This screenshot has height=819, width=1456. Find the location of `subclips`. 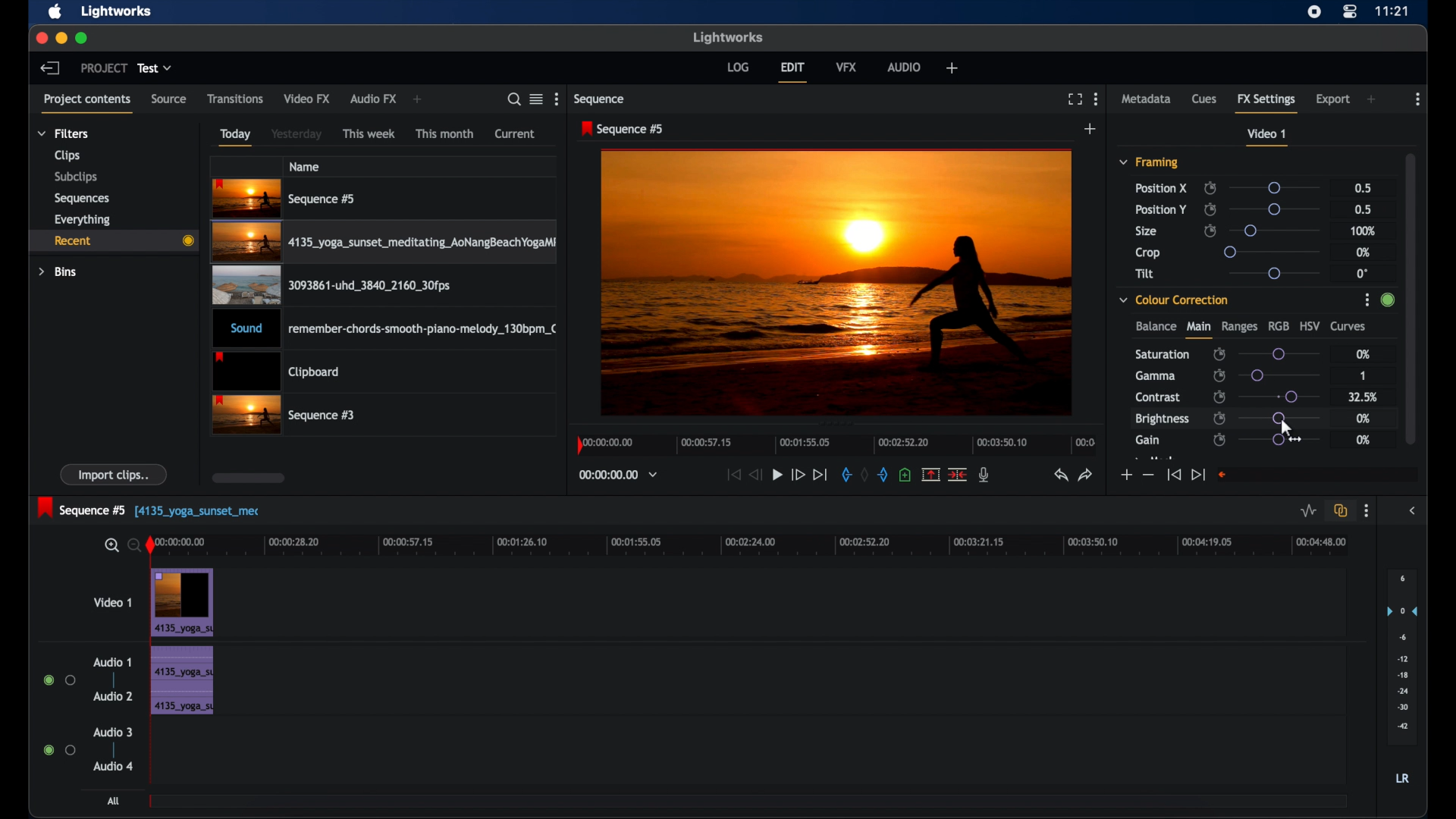

subclips is located at coordinates (77, 177).